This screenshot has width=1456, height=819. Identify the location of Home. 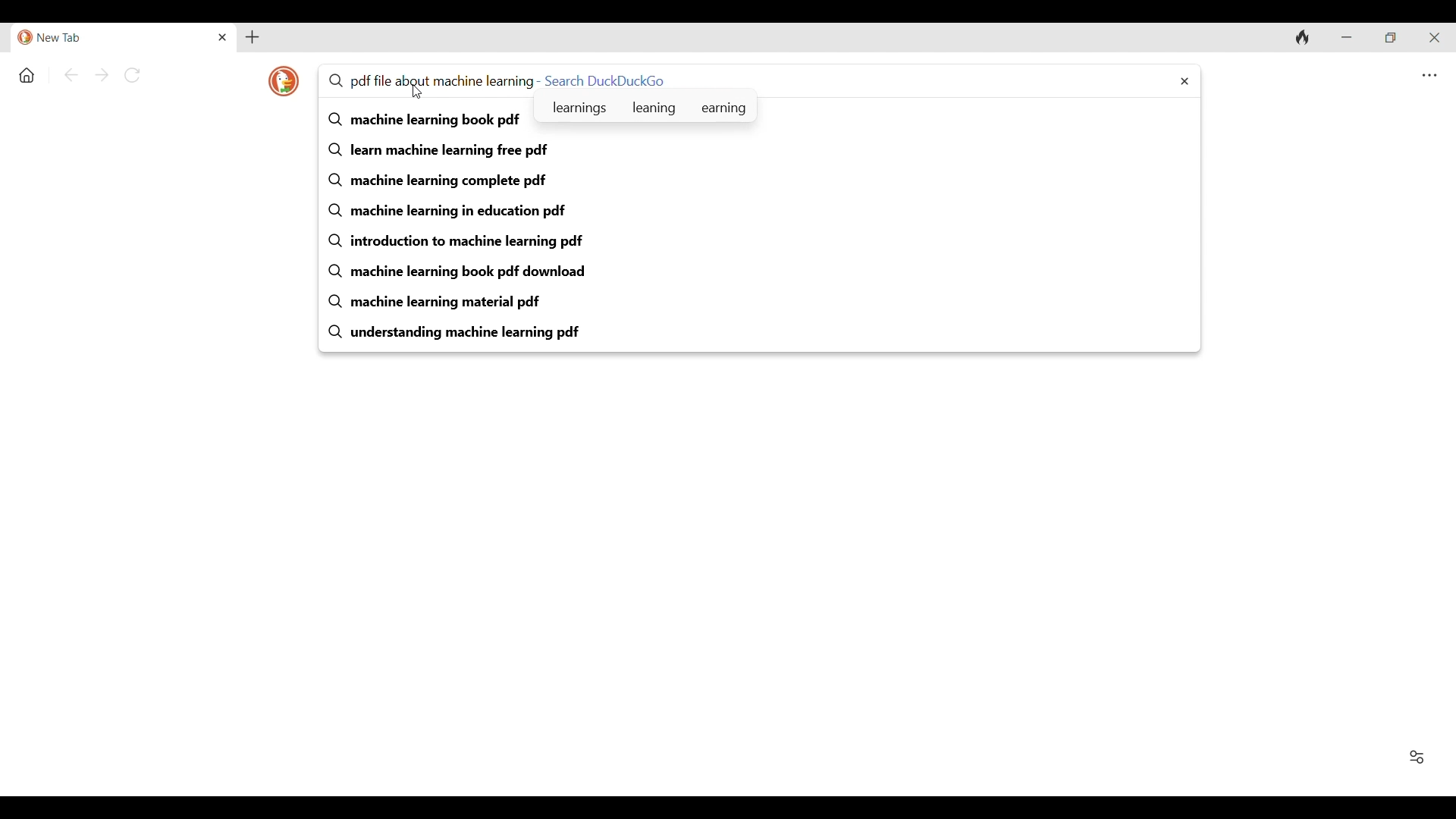
(27, 76).